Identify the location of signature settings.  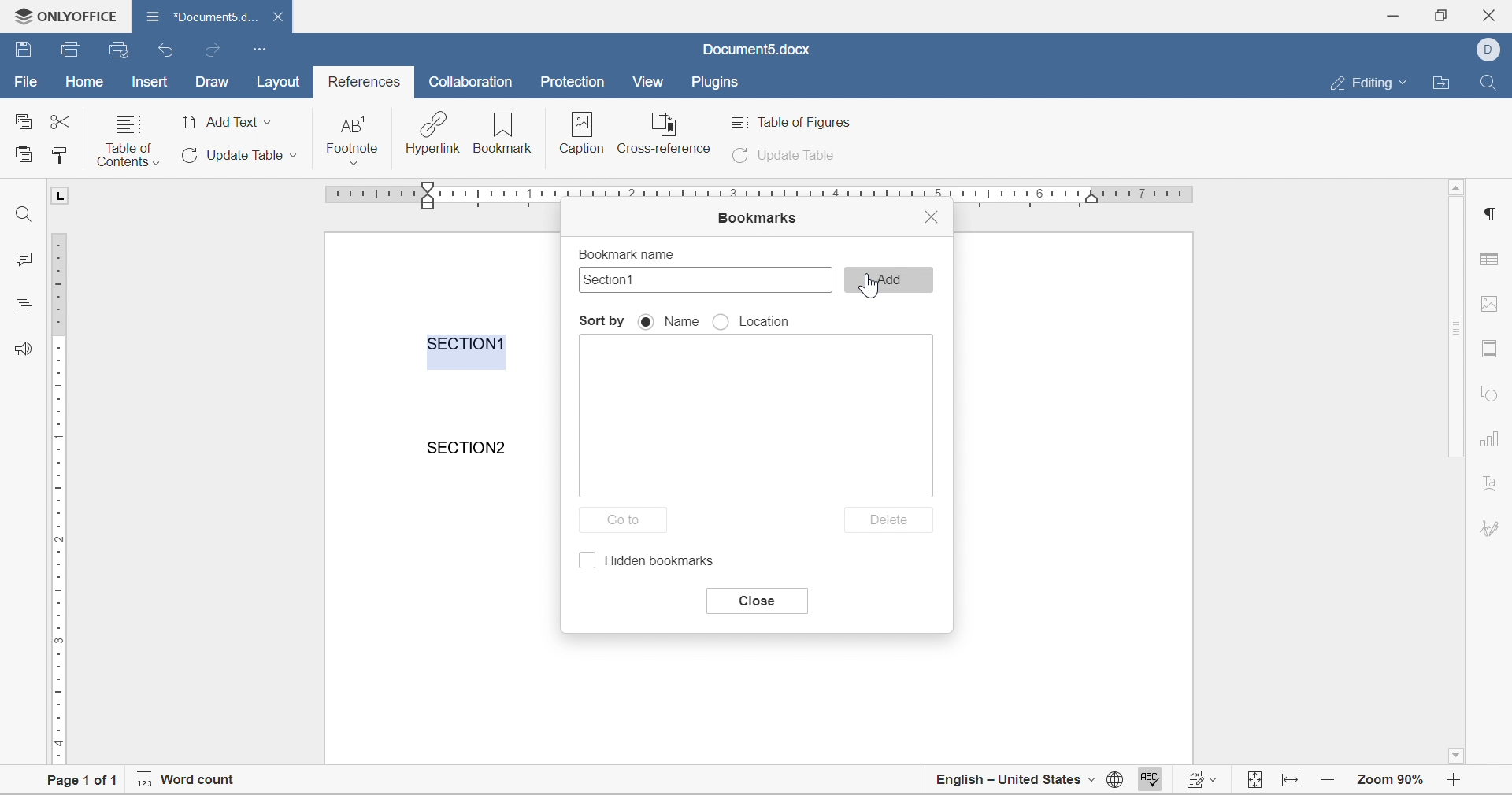
(1493, 527).